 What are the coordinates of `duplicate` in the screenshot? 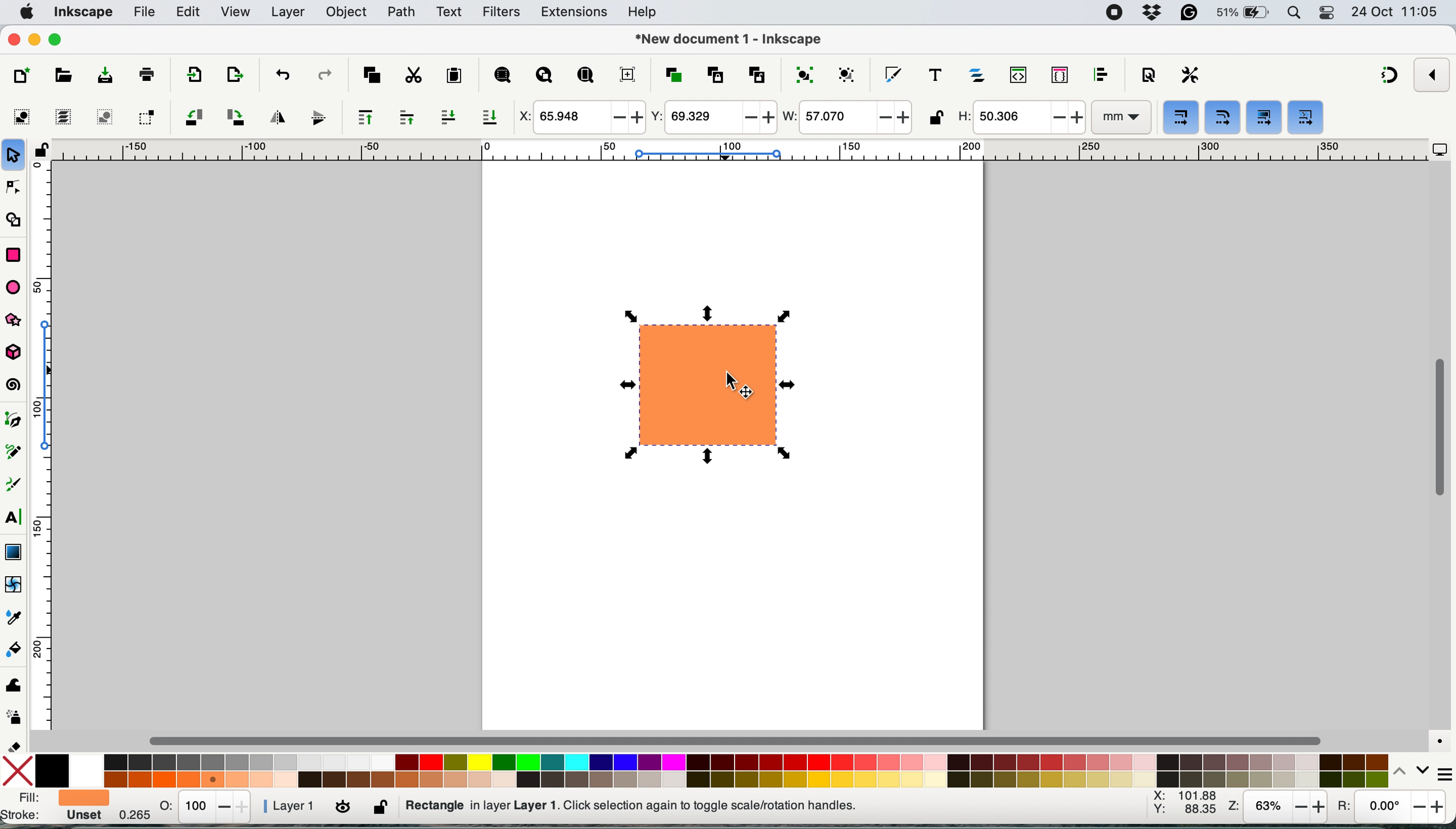 It's located at (672, 75).